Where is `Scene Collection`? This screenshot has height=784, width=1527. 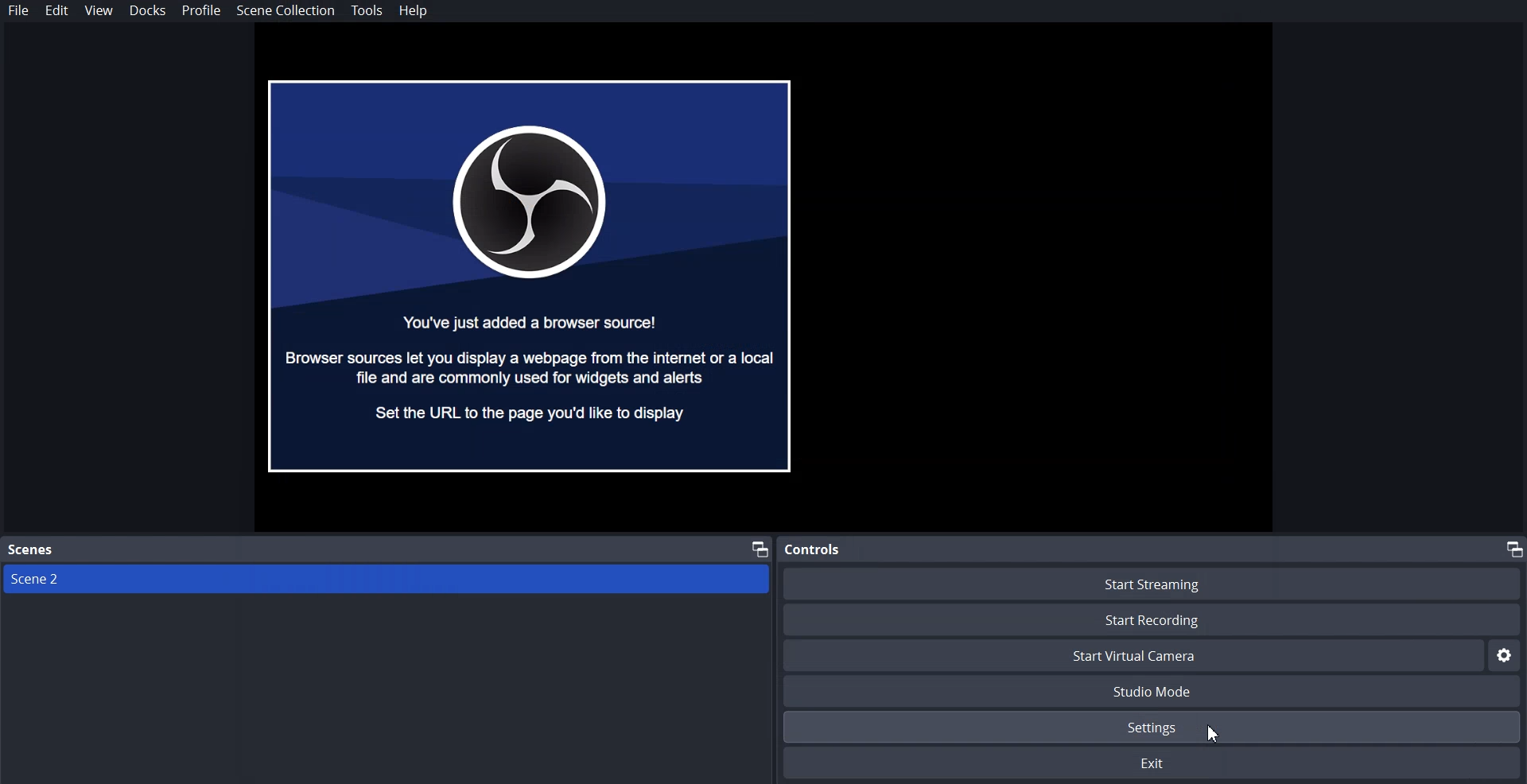 Scene Collection is located at coordinates (286, 11).